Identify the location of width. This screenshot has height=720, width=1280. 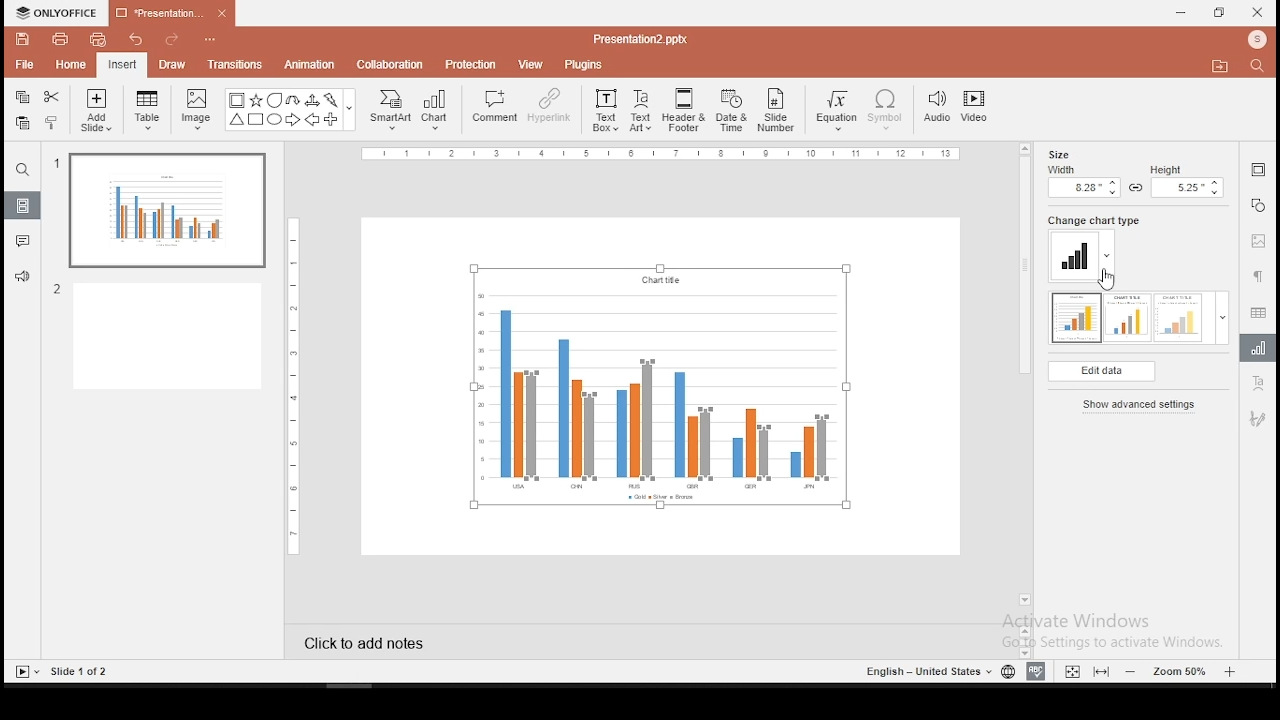
(1082, 182).